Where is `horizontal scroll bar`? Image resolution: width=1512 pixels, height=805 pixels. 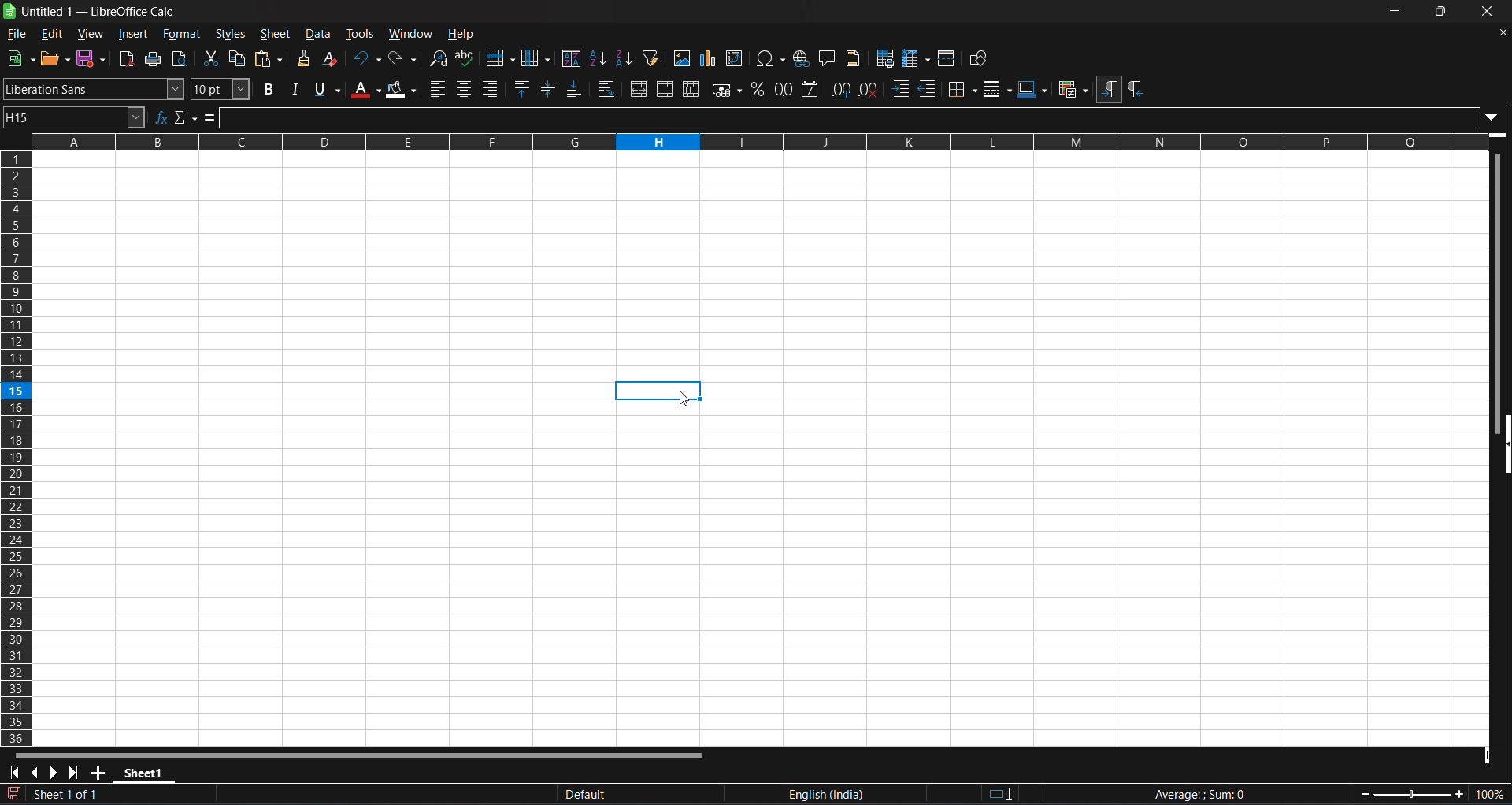 horizontal scroll bar is located at coordinates (361, 754).